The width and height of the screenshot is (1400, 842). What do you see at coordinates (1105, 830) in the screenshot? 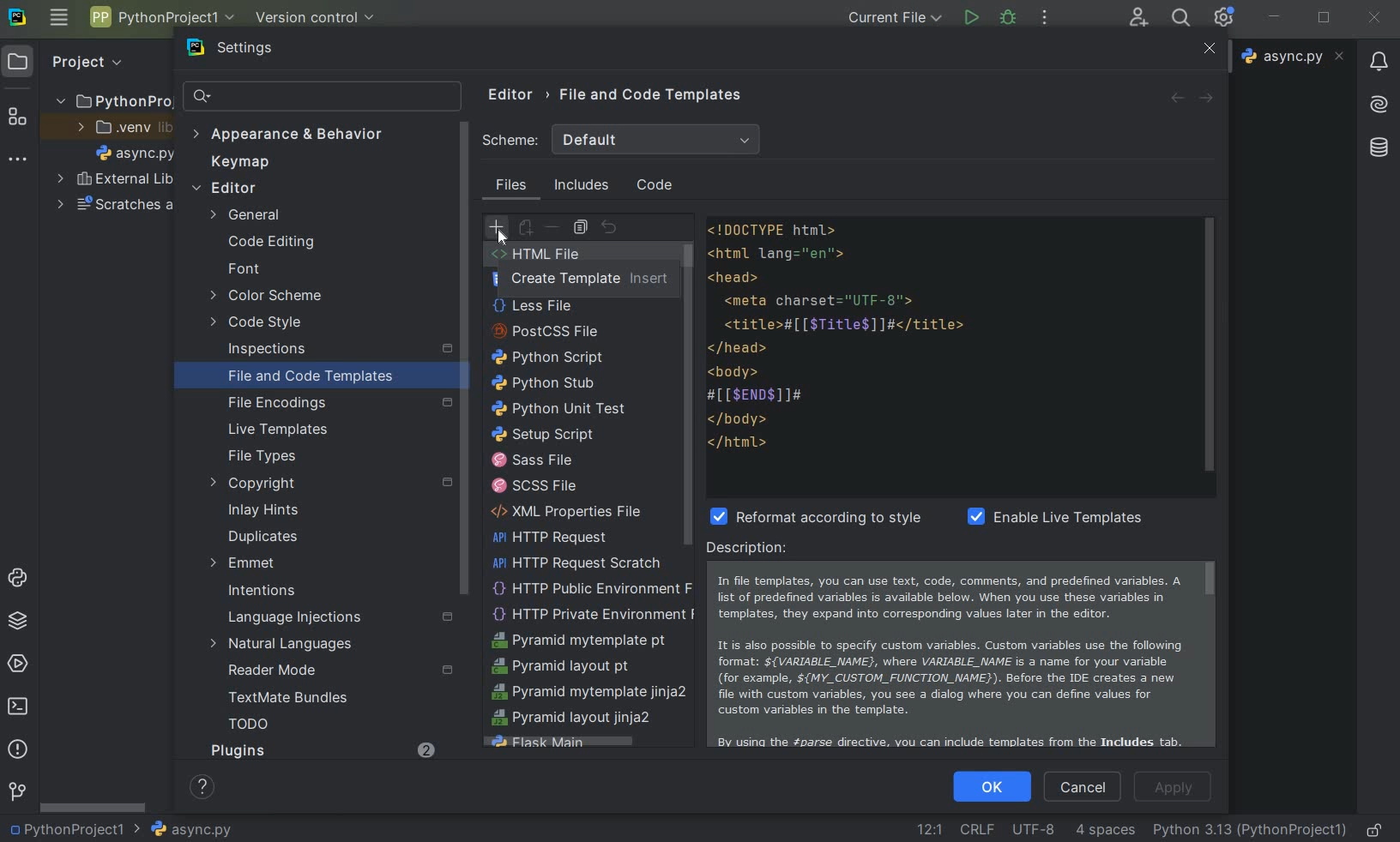
I see `indent` at bounding box center [1105, 830].